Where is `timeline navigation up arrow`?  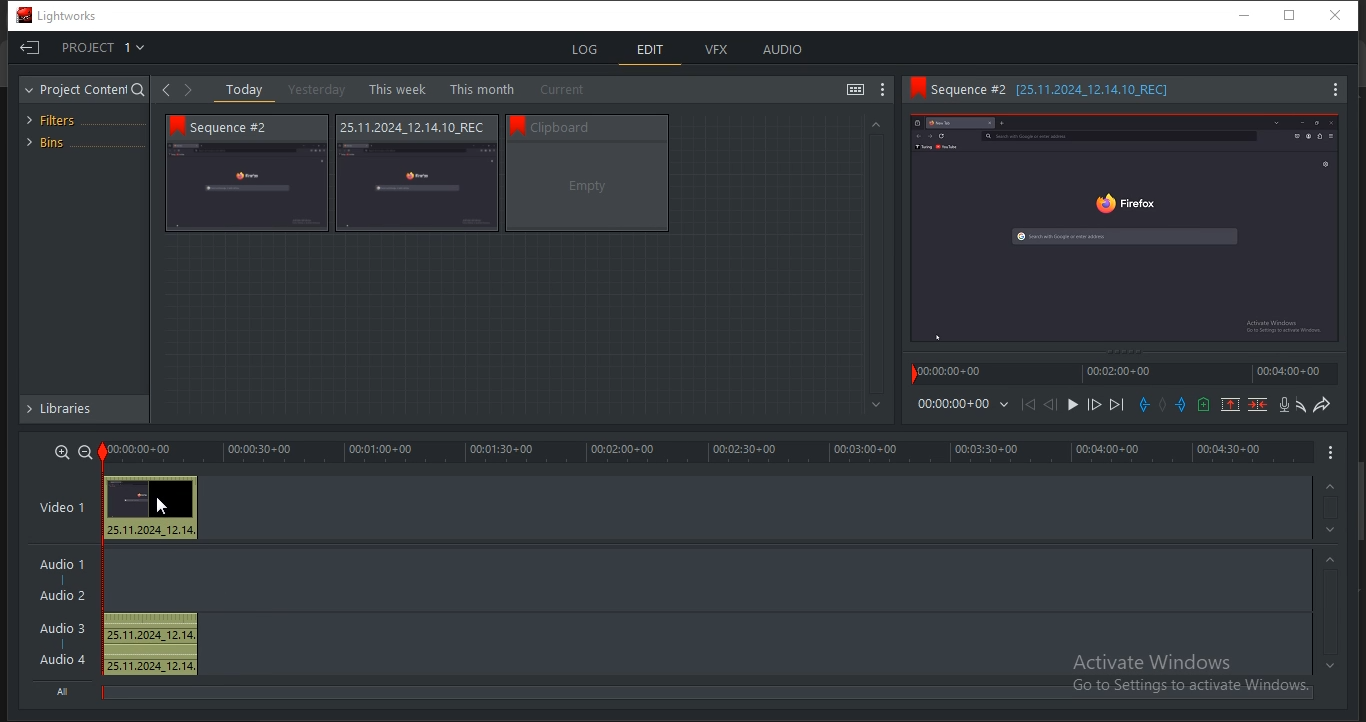
timeline navigation up arrow is located at coordinates (1338, 665).